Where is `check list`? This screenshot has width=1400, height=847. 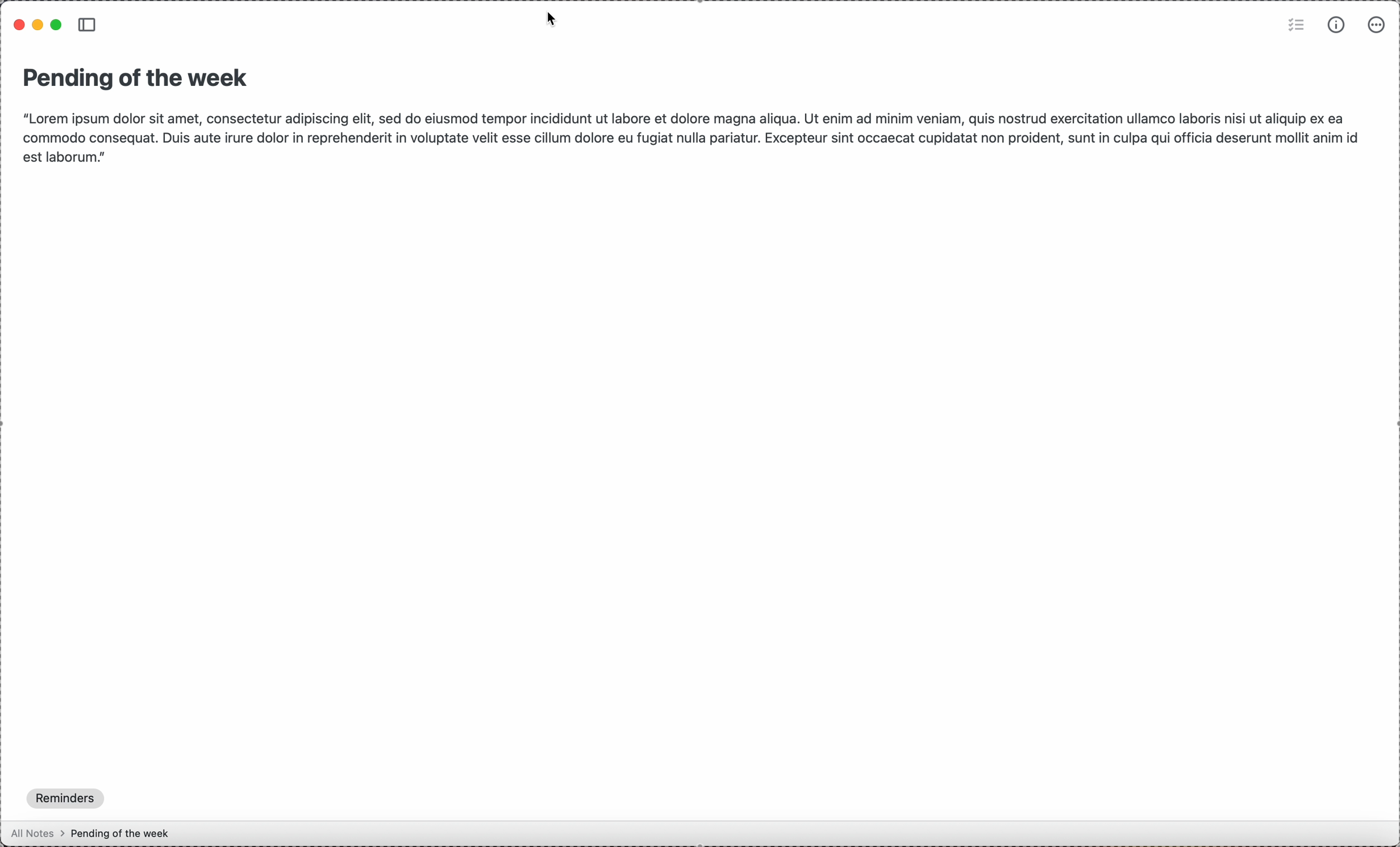
check list is located at coordinates (1295, 26).